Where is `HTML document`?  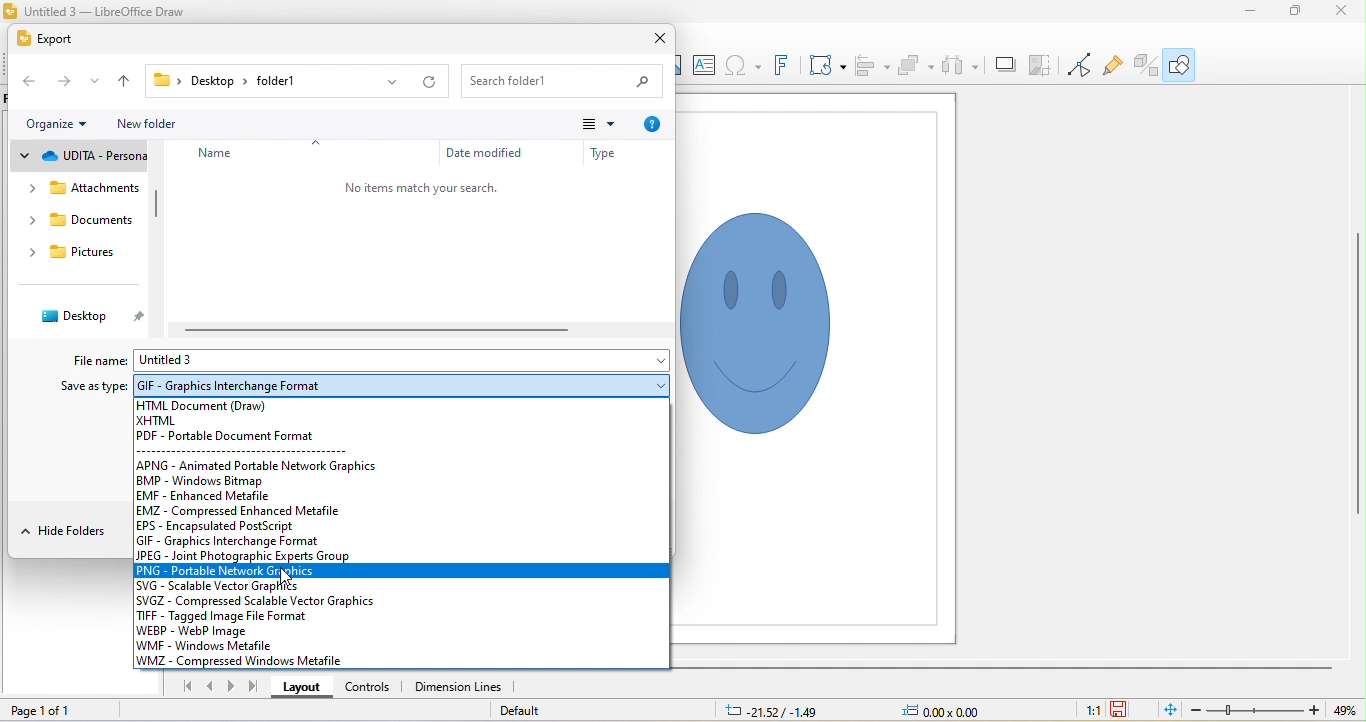
HTML document is located at coordinates (221, 406).